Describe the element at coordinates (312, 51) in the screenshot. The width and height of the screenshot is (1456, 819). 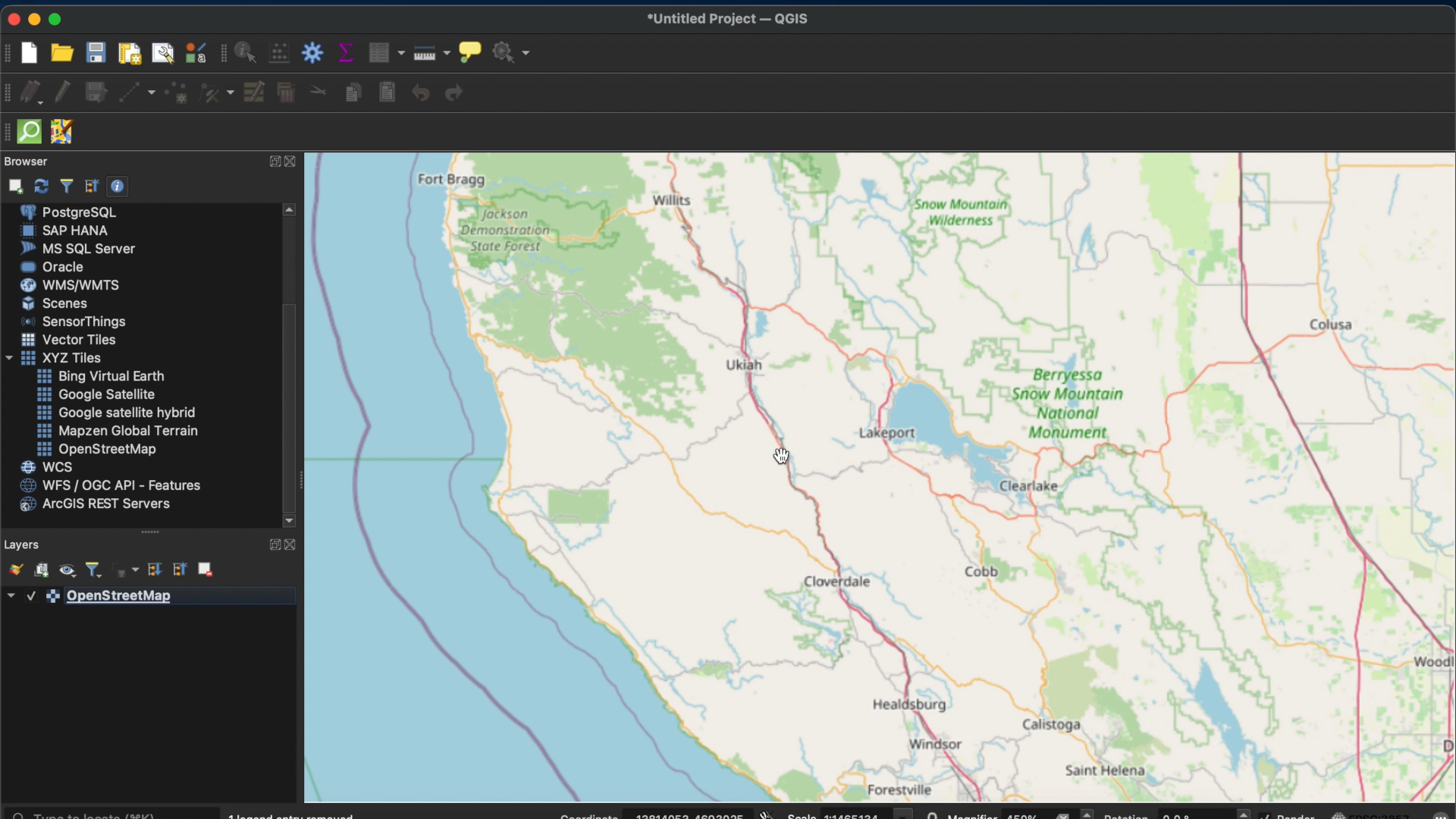
I see `toolbox` at that location.